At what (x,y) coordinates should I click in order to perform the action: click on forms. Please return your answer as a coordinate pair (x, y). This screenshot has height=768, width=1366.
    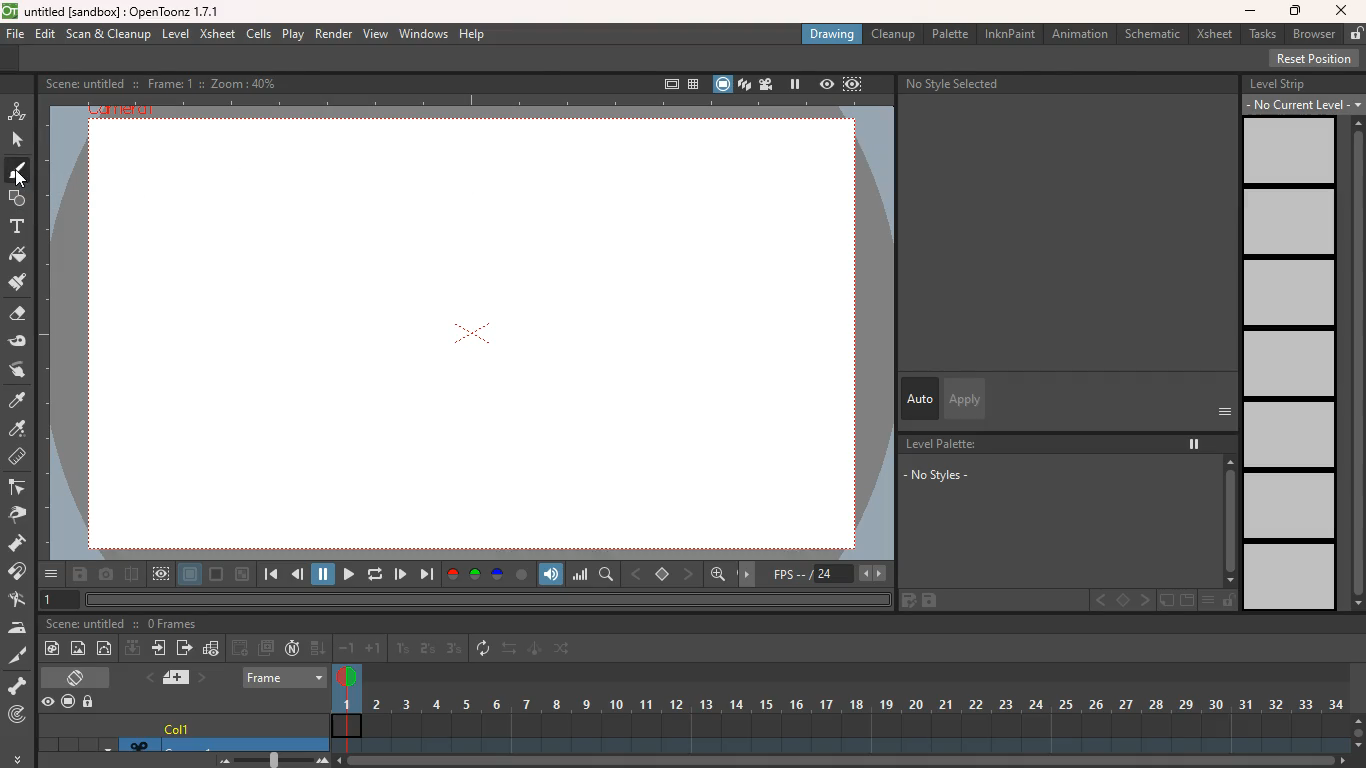
    Looking at the image, I should click on (16, 199).